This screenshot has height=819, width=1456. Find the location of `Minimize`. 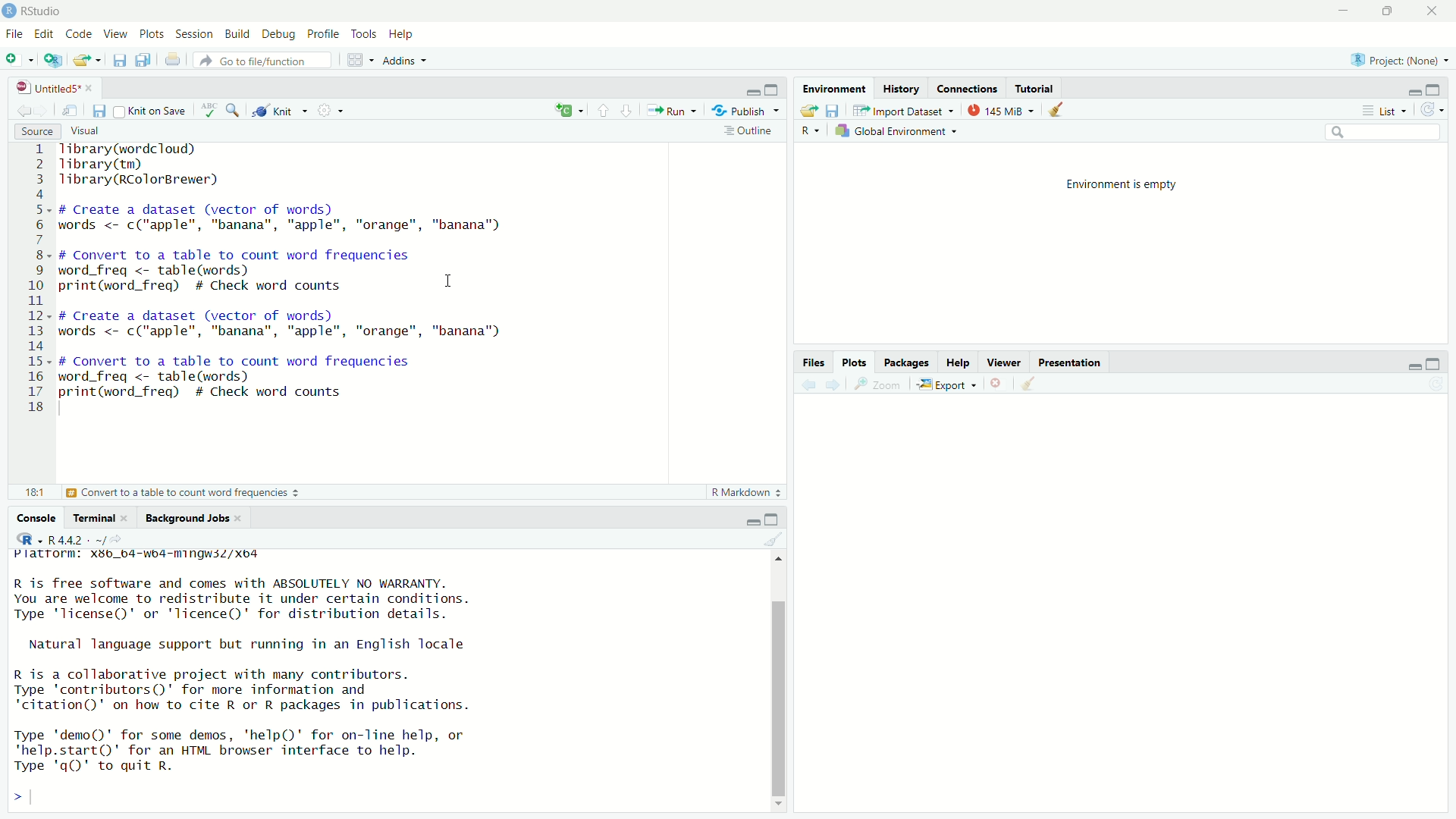

Minimize is located at coordinates (1414, 95).